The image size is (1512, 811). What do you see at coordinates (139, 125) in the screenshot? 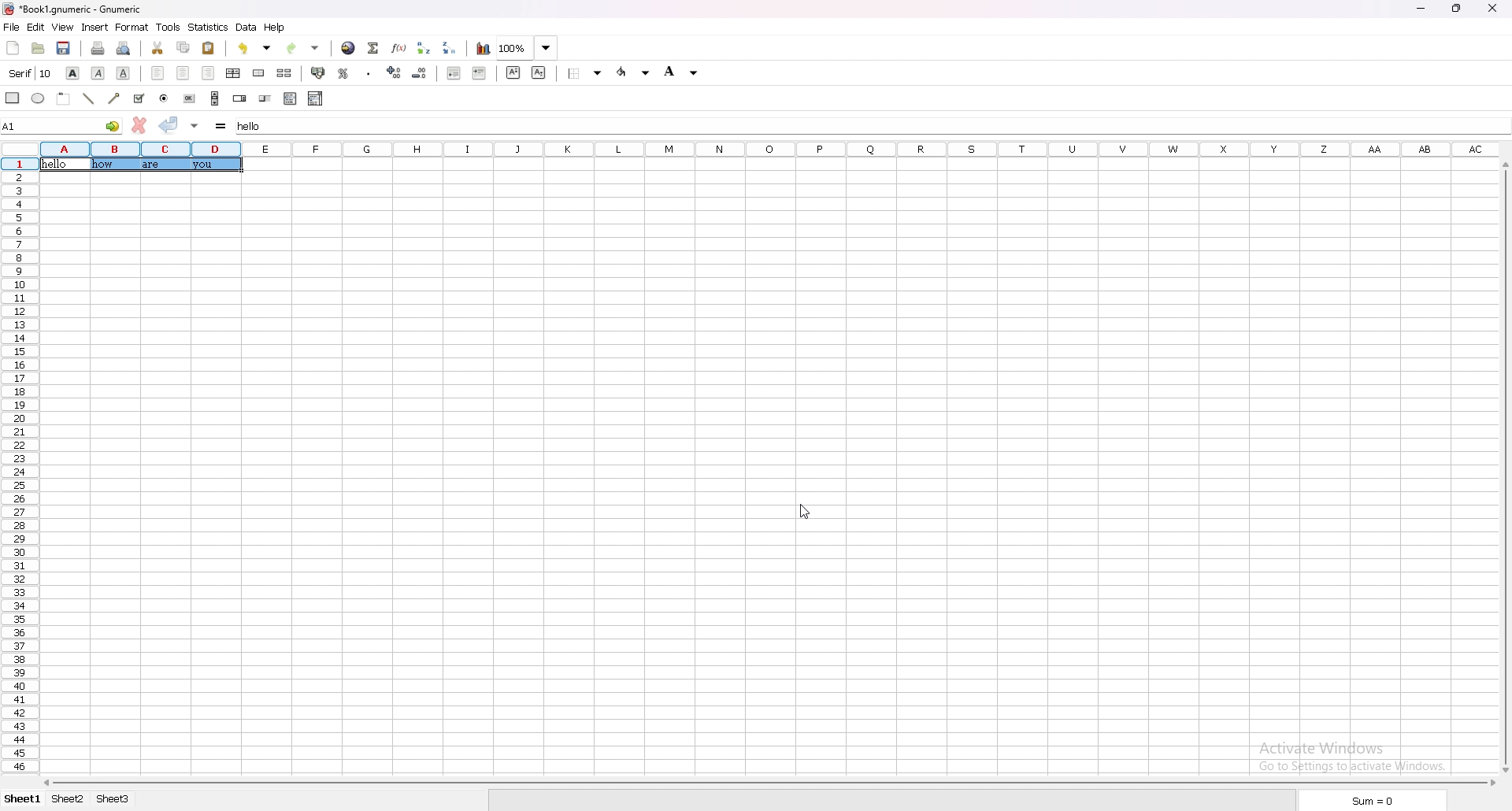
I see `cancel changes` at bounding box center [139, 125].